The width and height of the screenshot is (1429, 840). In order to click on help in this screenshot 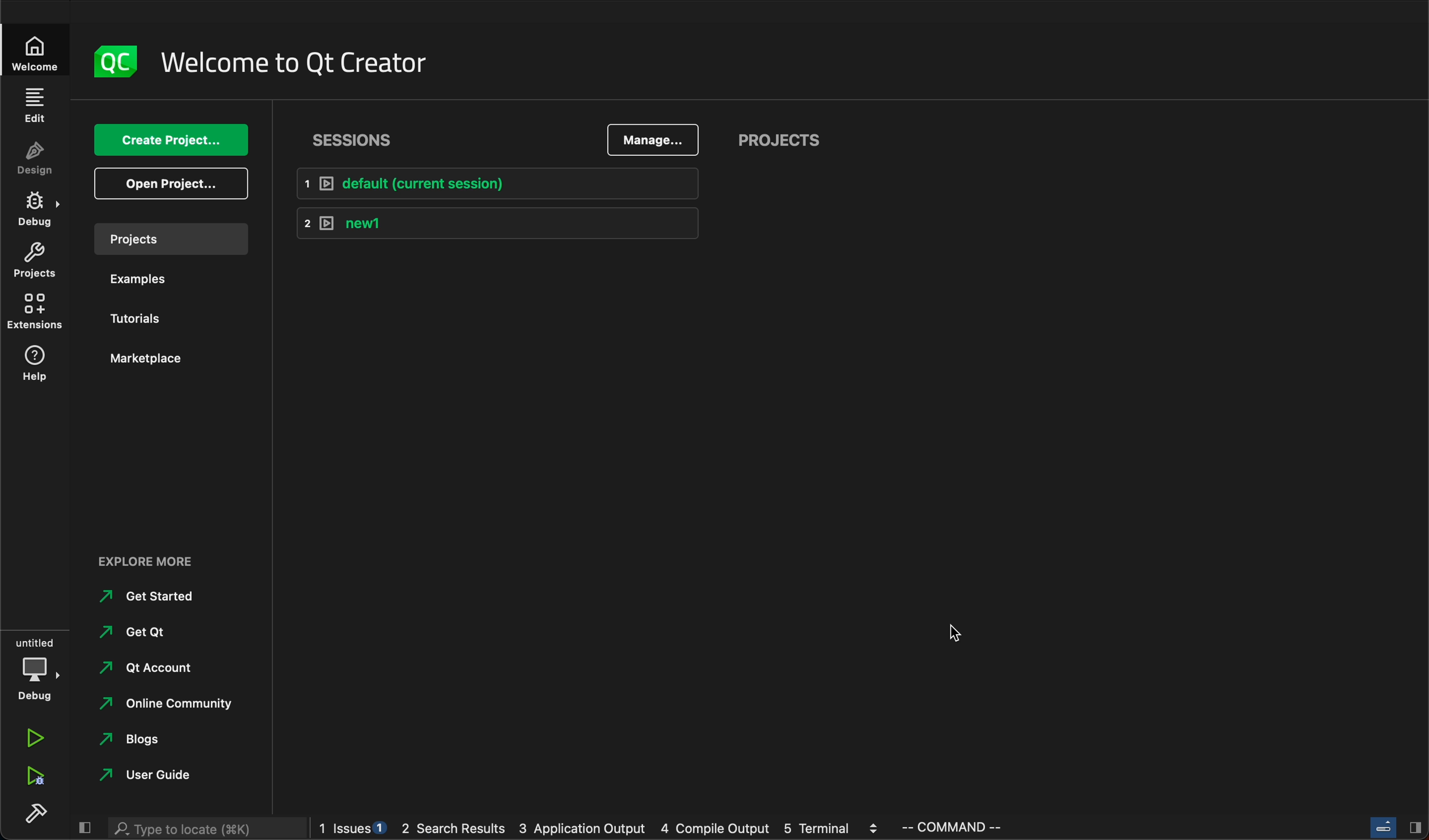, I will do `click(39, 363)`.